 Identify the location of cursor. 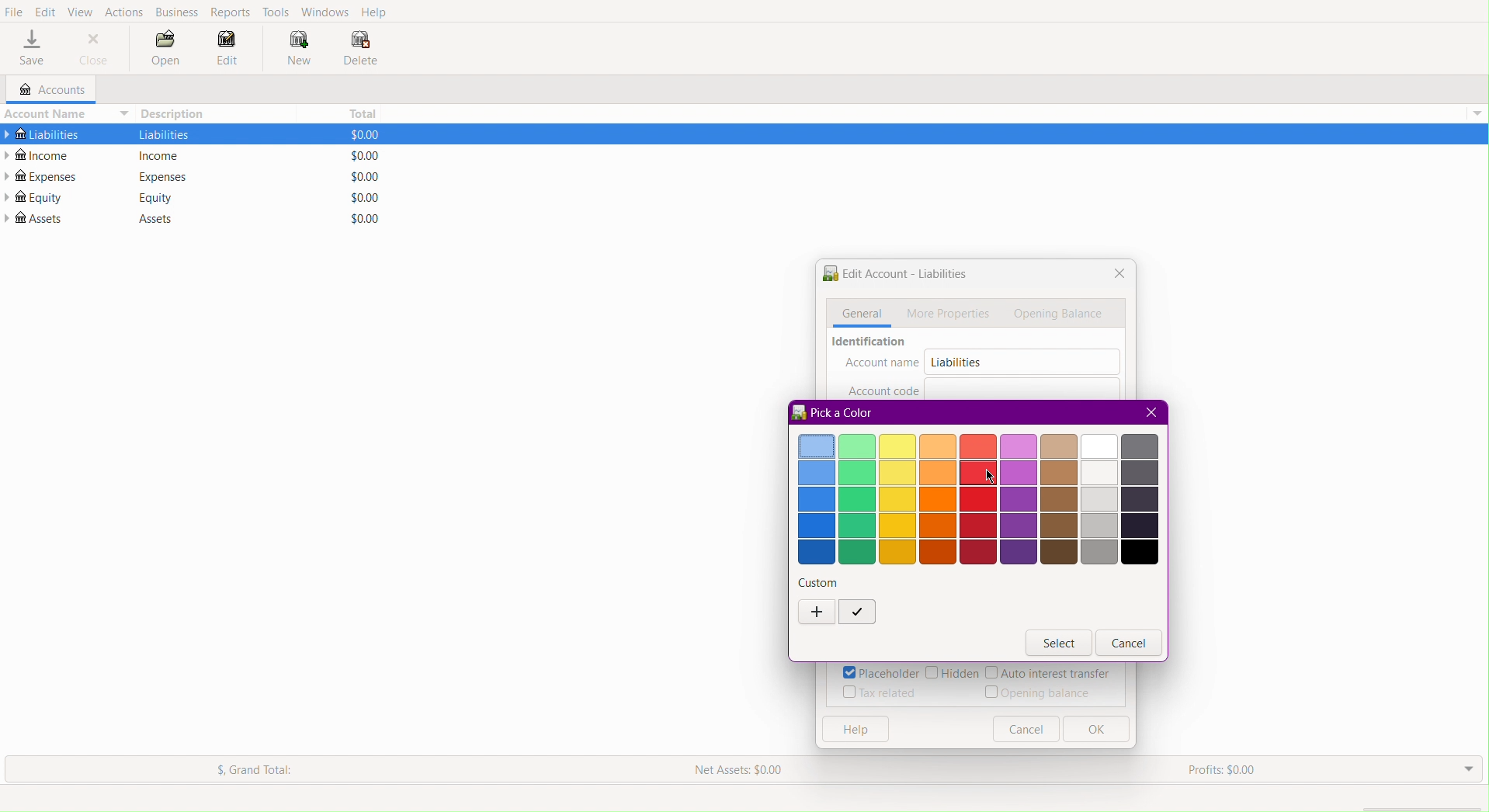
(987, 478).